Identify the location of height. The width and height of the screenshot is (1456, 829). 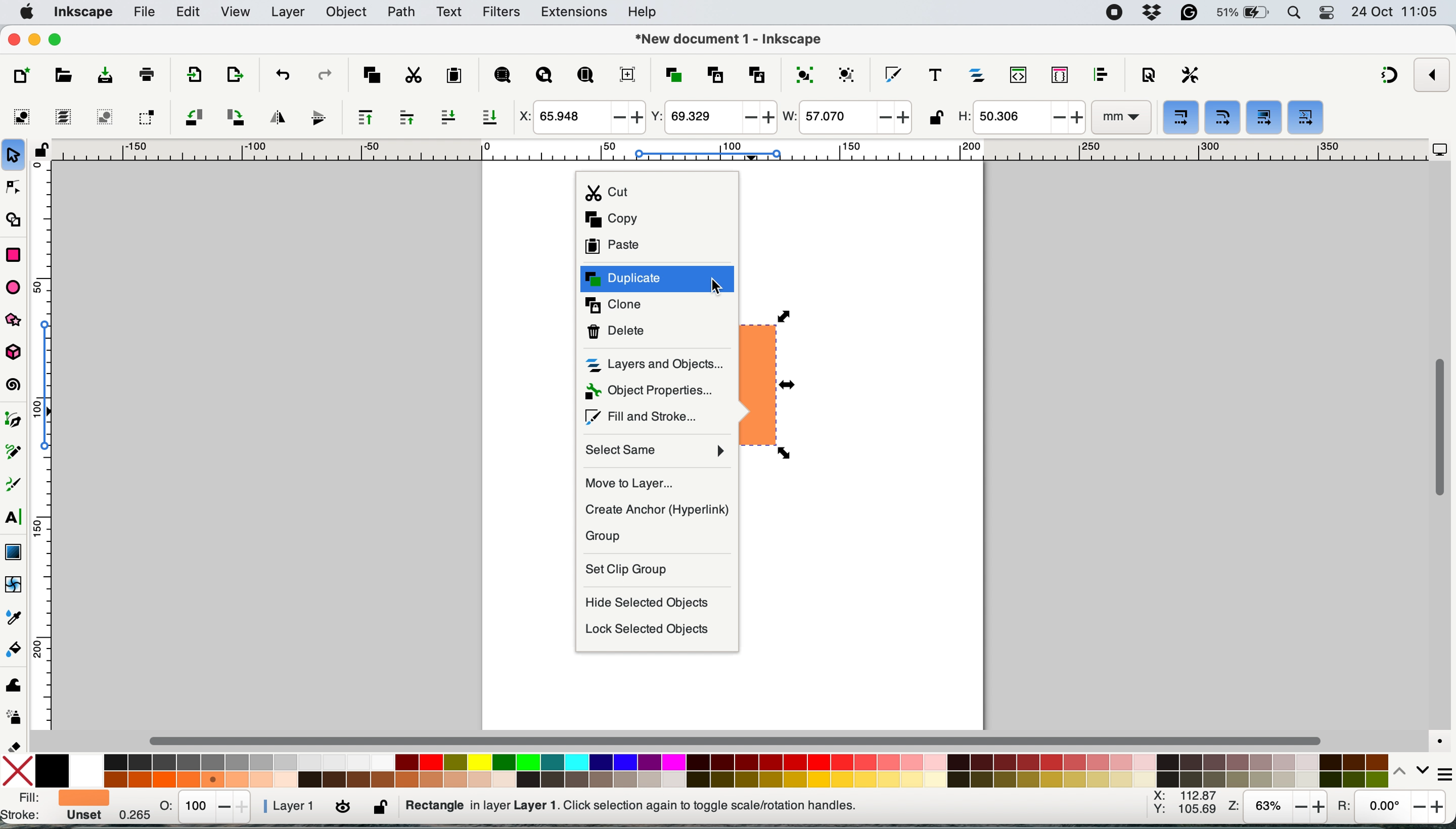
(1019, 117).